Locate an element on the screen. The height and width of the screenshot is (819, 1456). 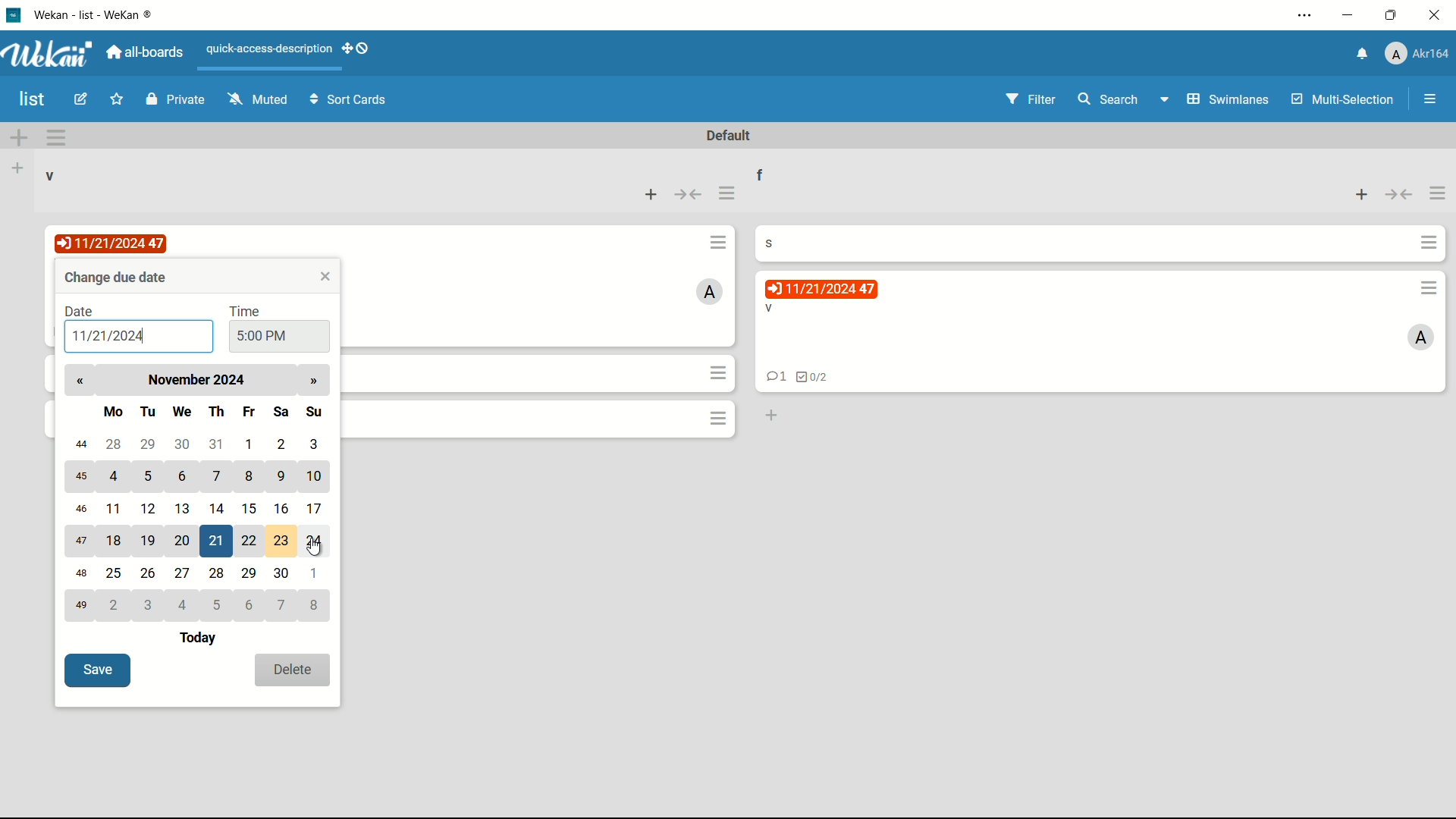
12 is located at coordinates (151, 508).